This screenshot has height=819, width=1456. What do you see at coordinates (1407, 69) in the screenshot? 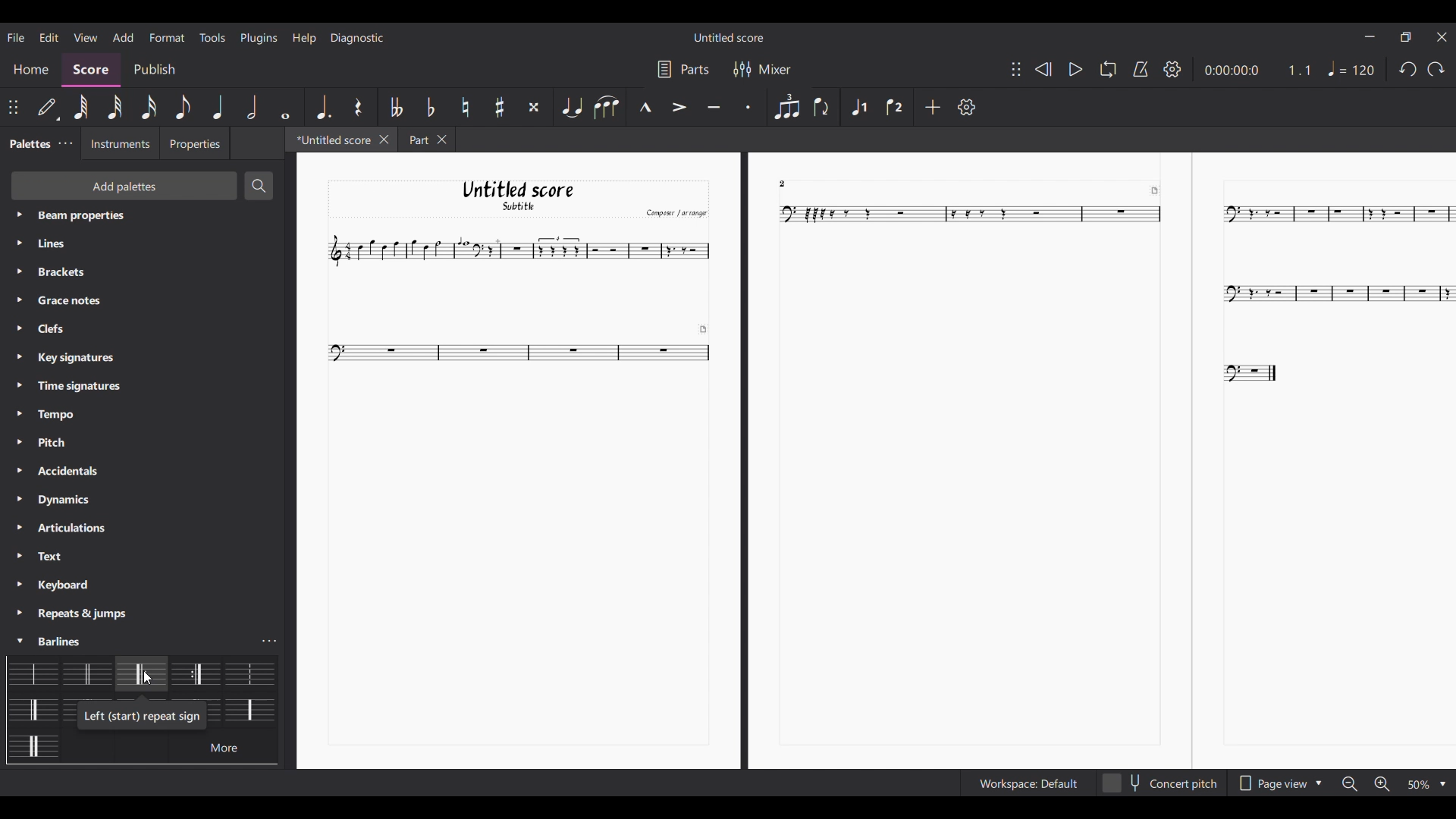
I see `Undo` at bounding box center [1407, 69].